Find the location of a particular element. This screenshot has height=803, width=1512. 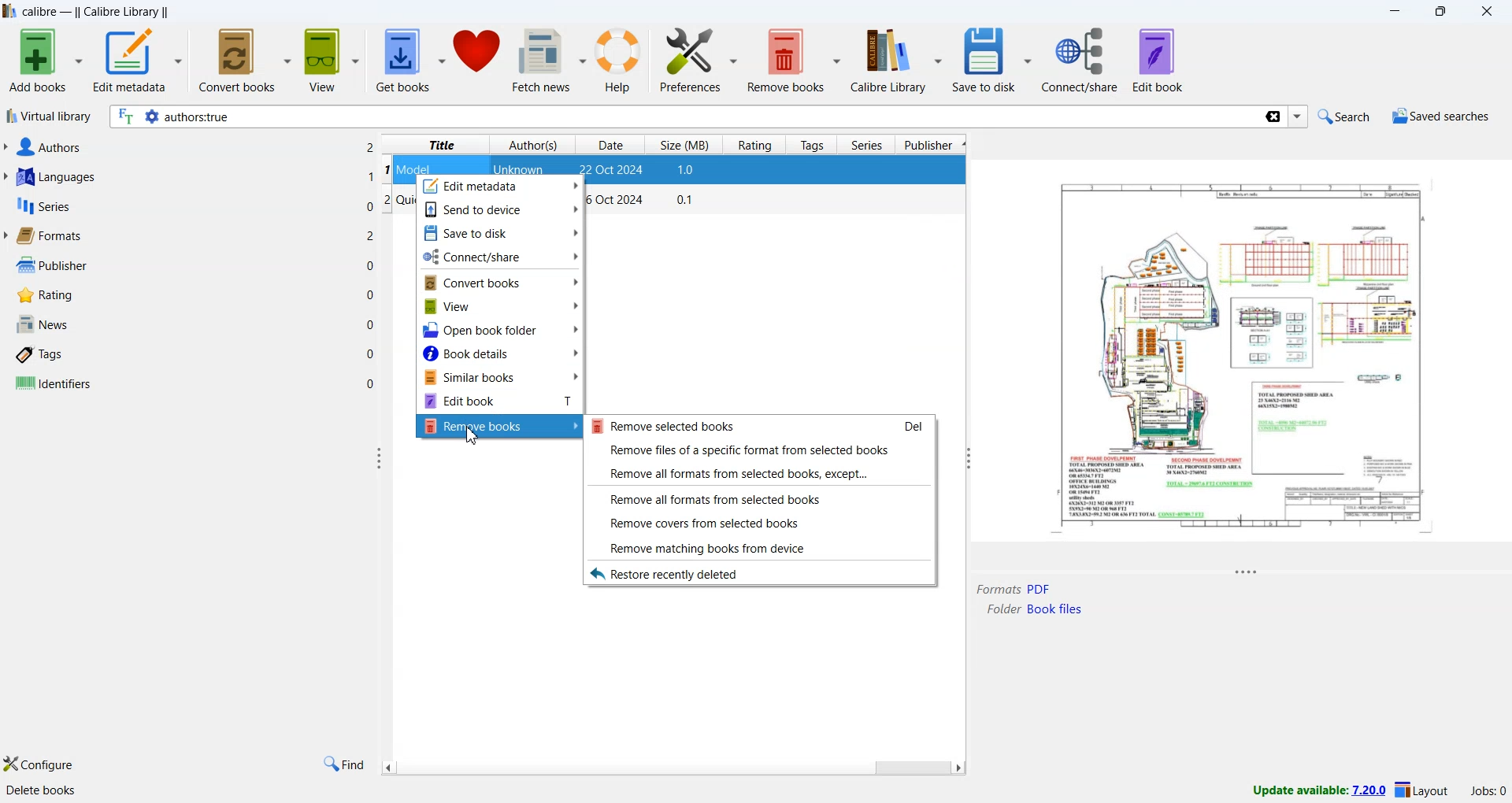

0 is located at coordinates (370, 266).